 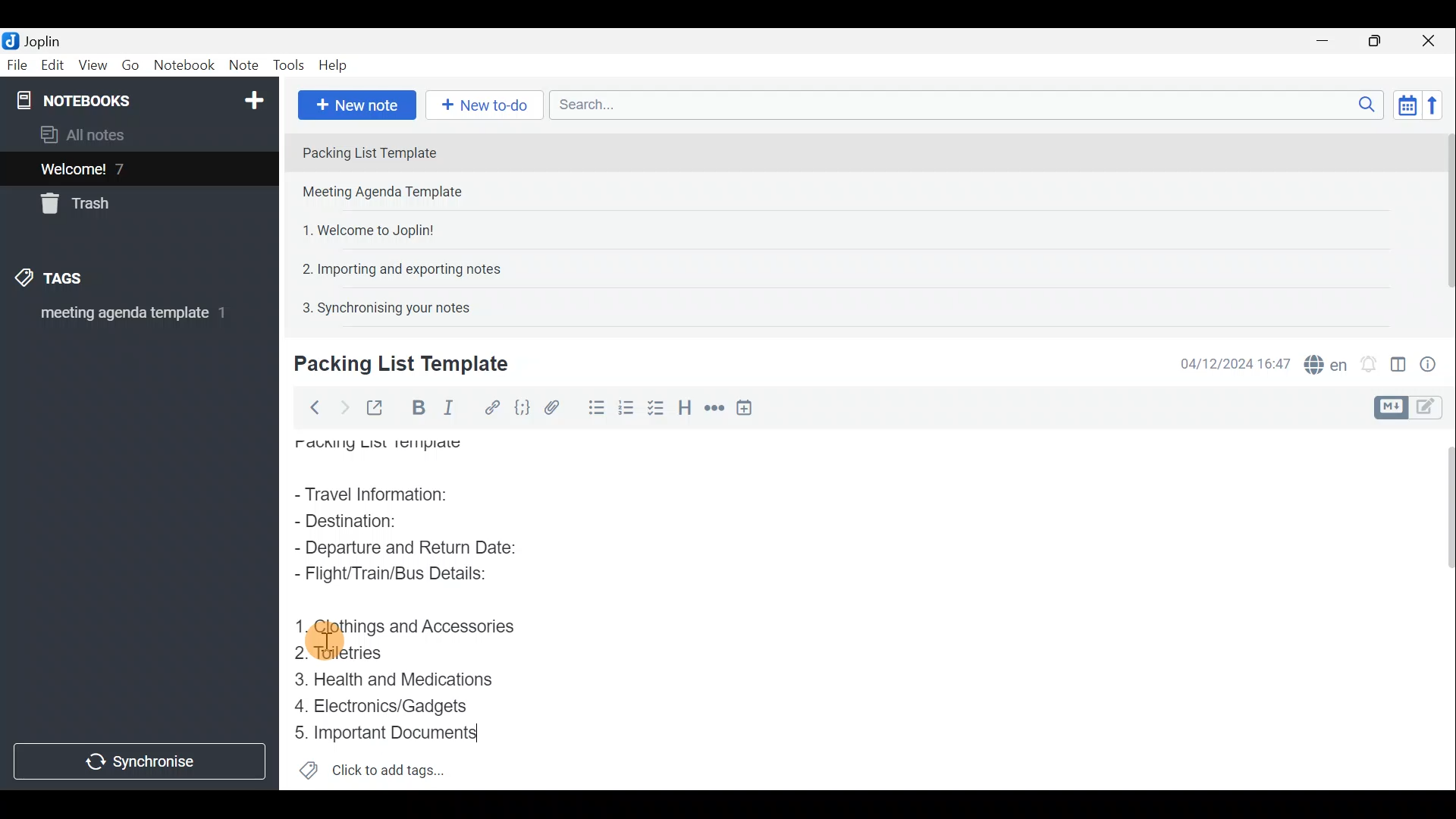 I want to click on Note 5, so click(x=380, y=306).